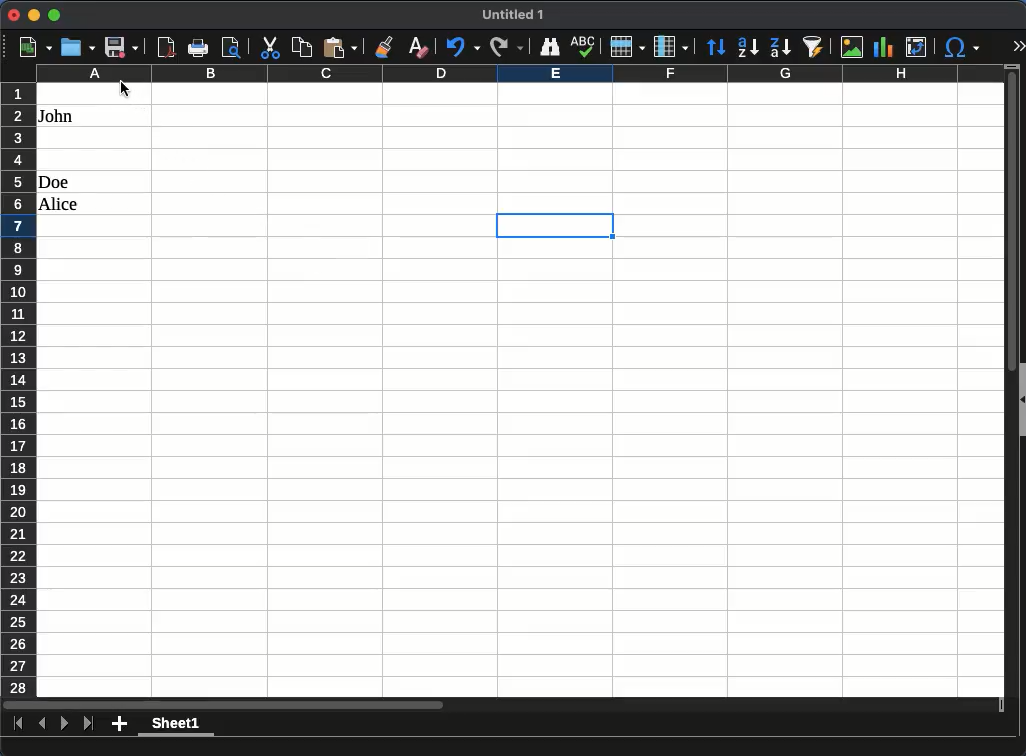  I want to click on scroll, so click(1005, 389).